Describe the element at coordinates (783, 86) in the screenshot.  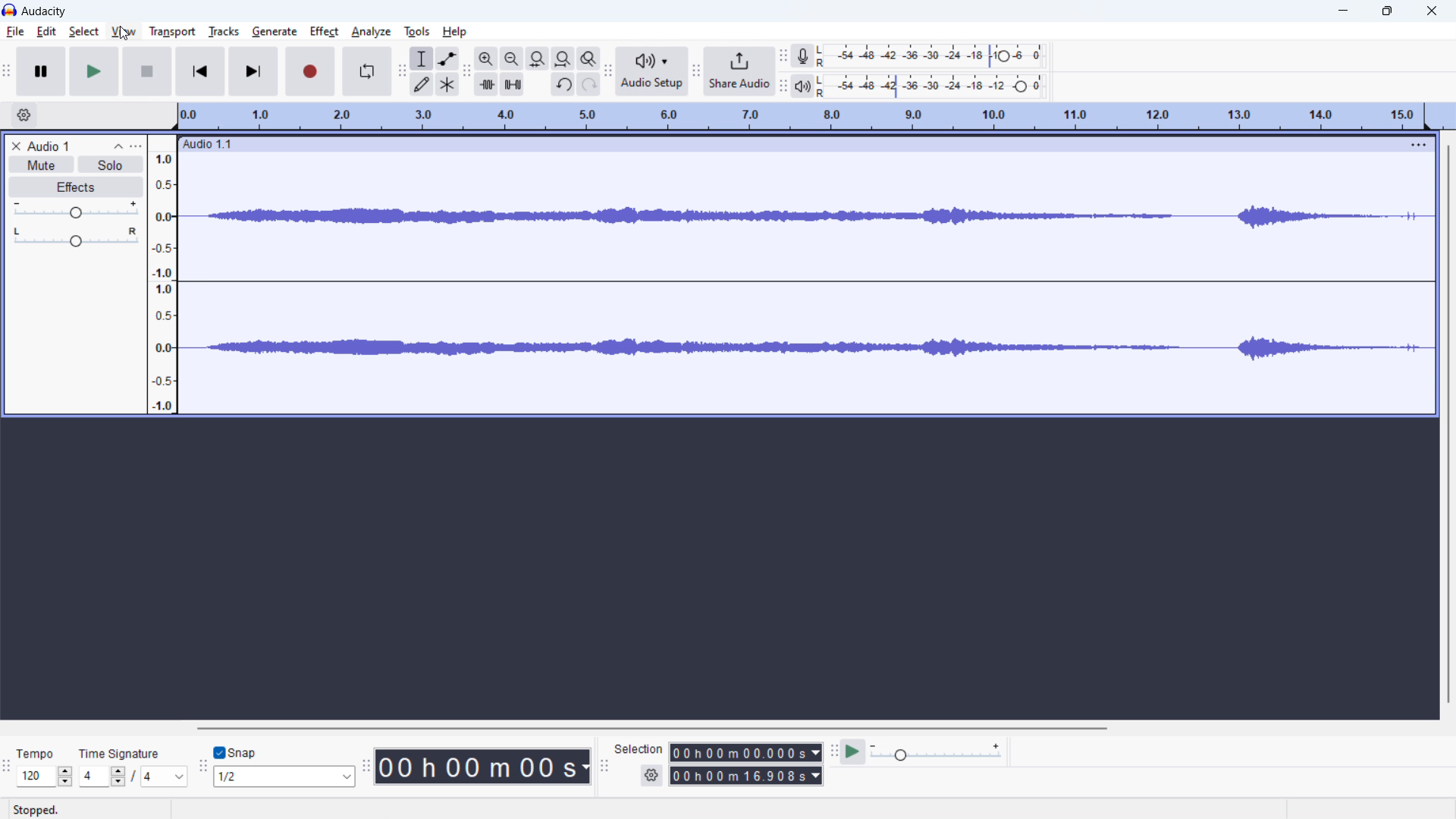
I see `playback meter toolbar` at that location.